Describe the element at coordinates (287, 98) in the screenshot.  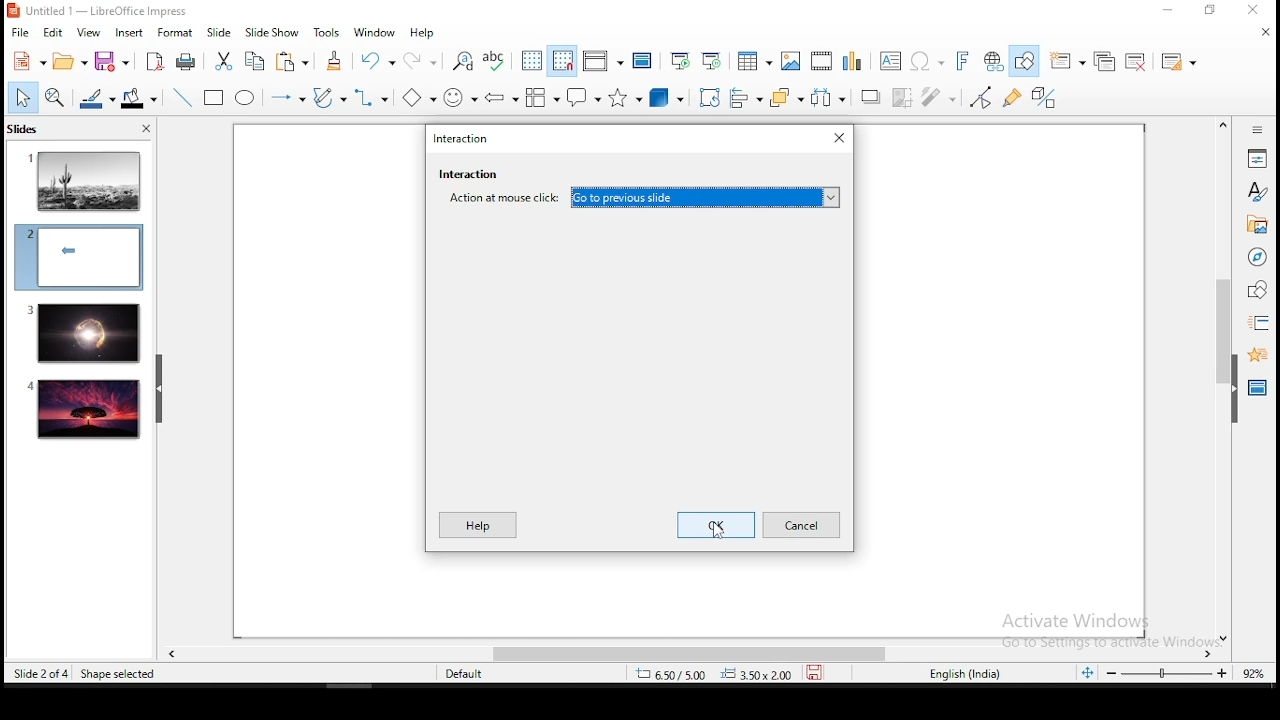
I see `lines and arrows` at that location.